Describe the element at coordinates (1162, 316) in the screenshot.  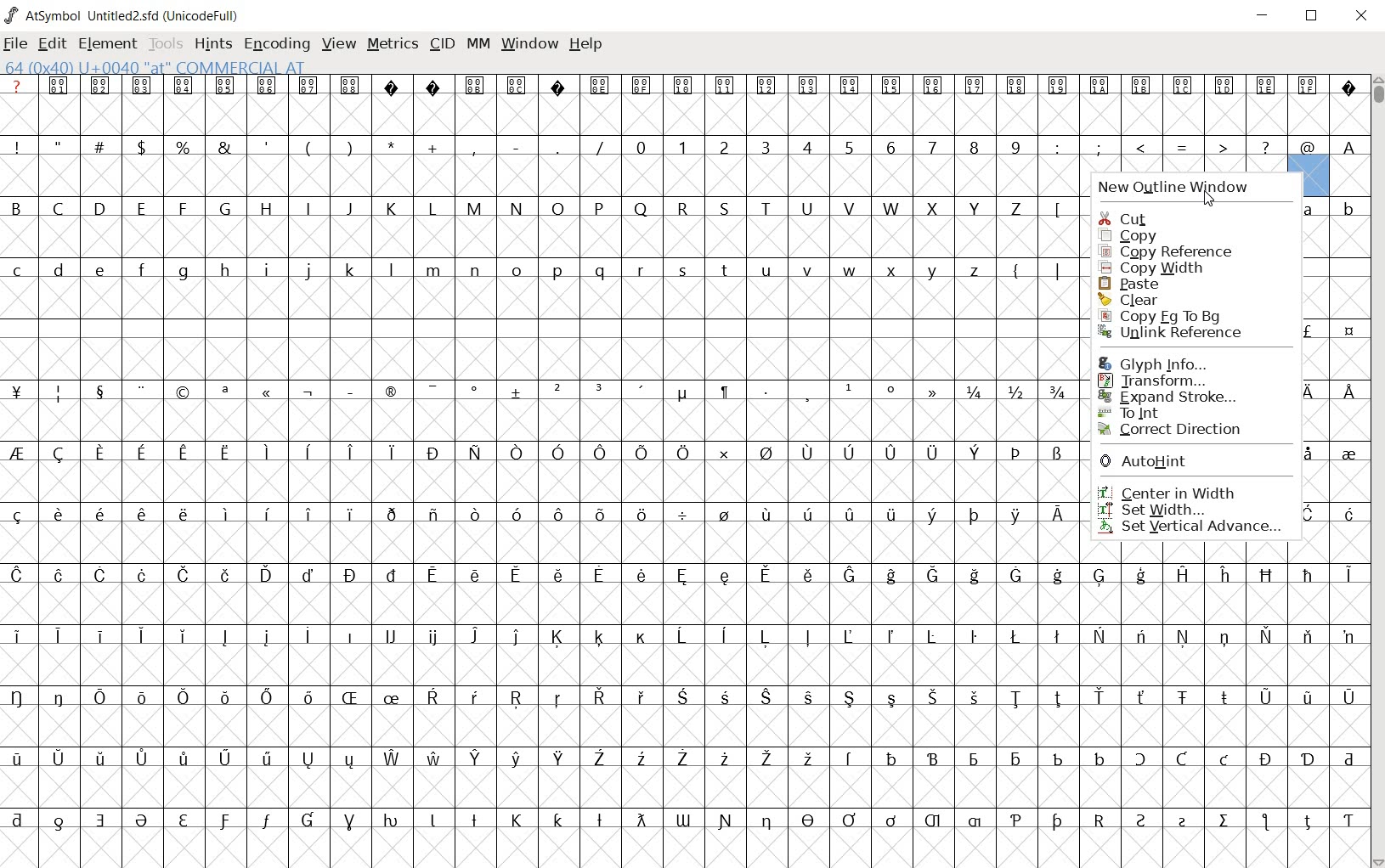
I see `COPY FG TO BG` at that location.